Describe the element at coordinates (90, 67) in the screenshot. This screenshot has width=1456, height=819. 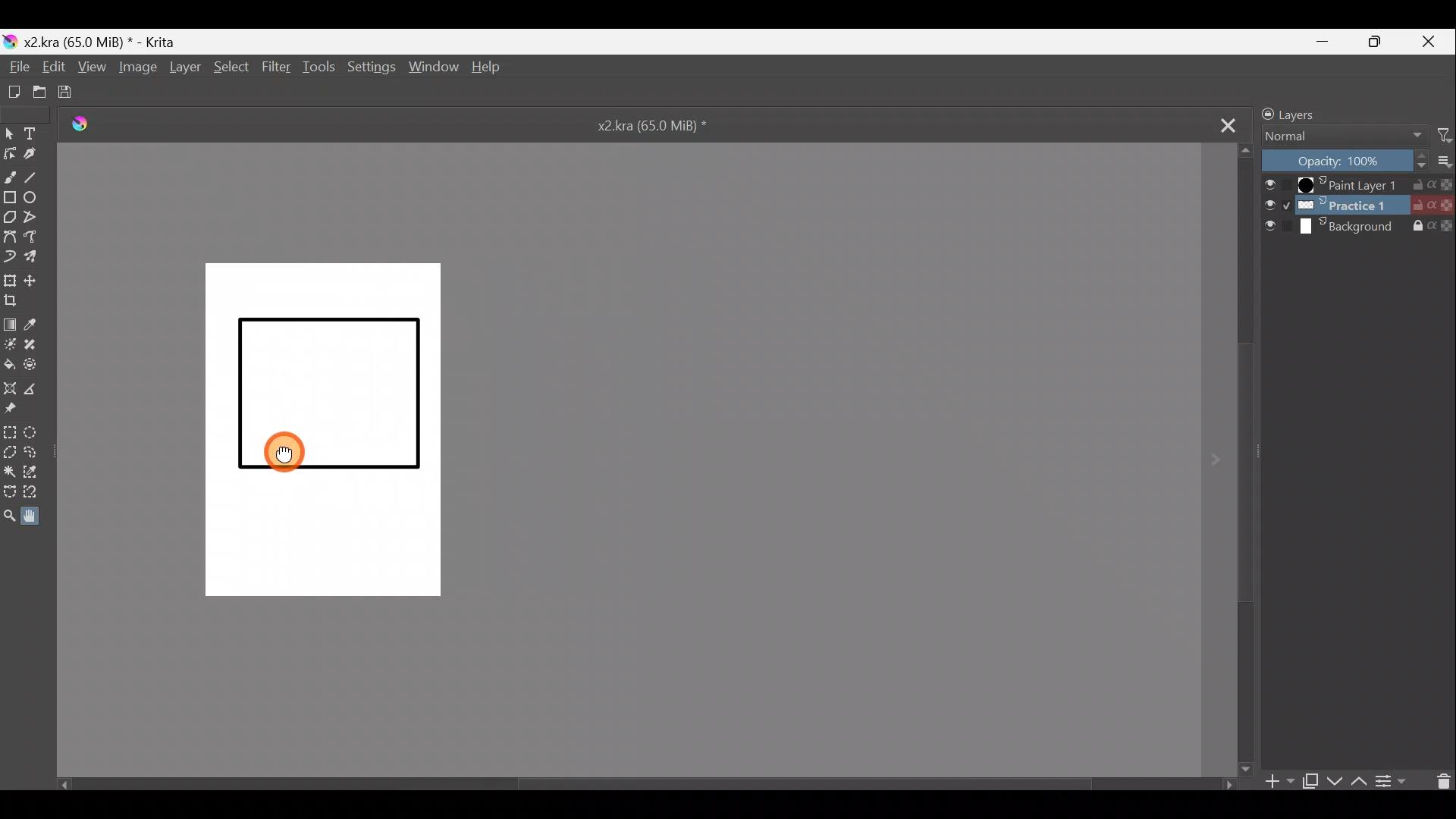
I see `View` at that location.